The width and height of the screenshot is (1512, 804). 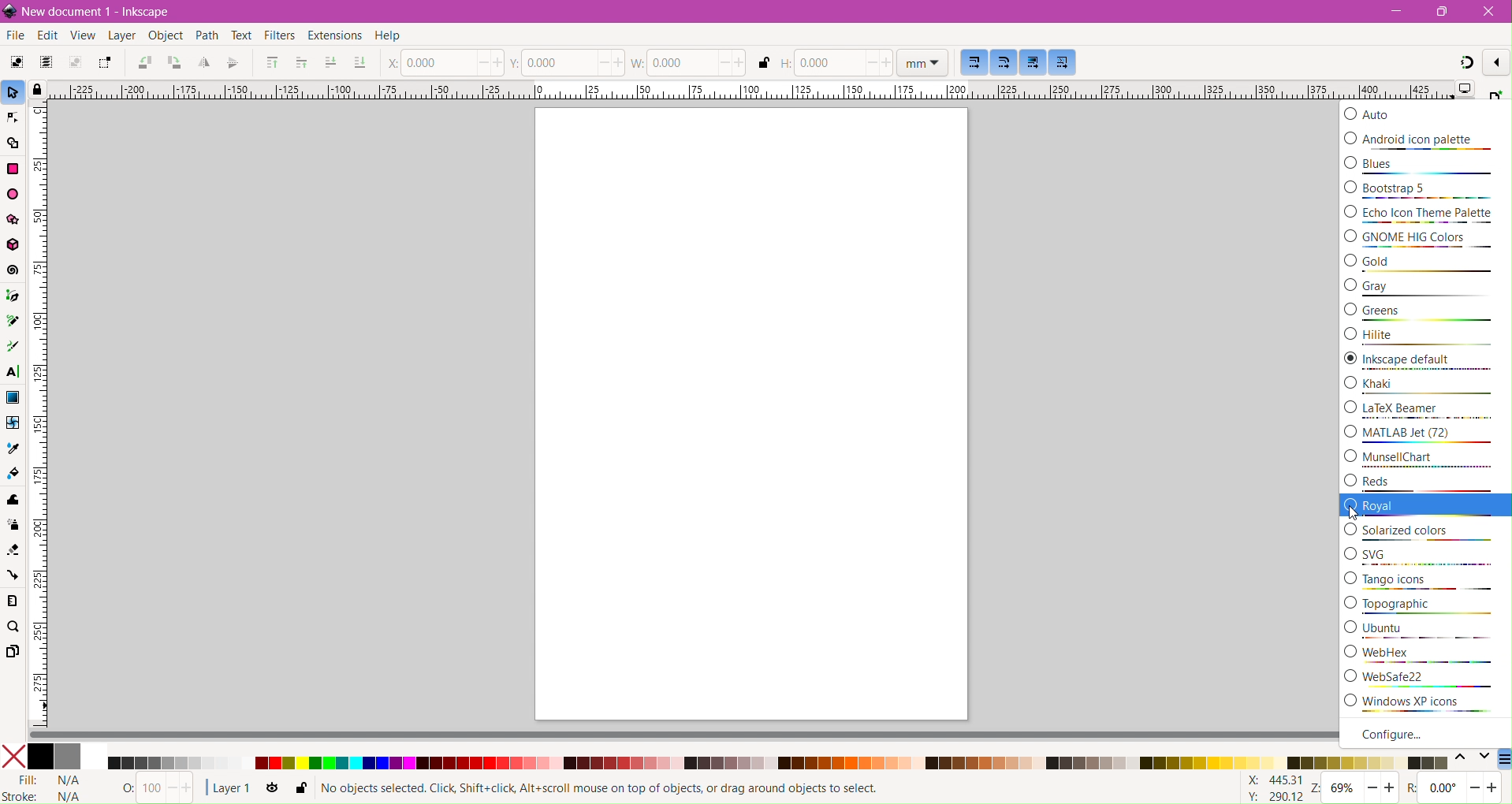 What do you see at coordinates (17, 64) in the screenshot?
I see `Select All` at bounding box center [17, 64].